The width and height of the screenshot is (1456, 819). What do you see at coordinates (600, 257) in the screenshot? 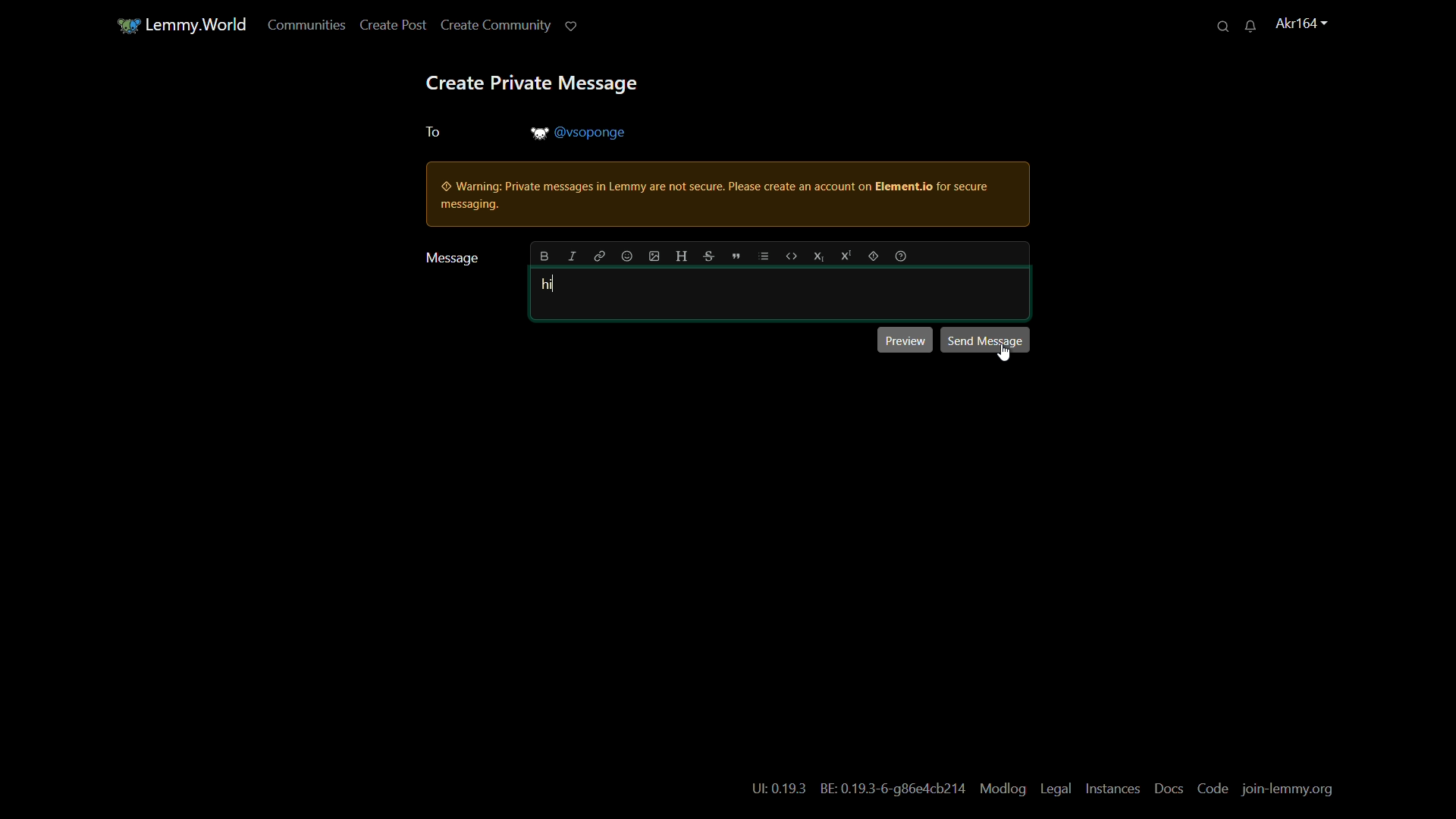
I see `link` at bounding box center [600, 257].